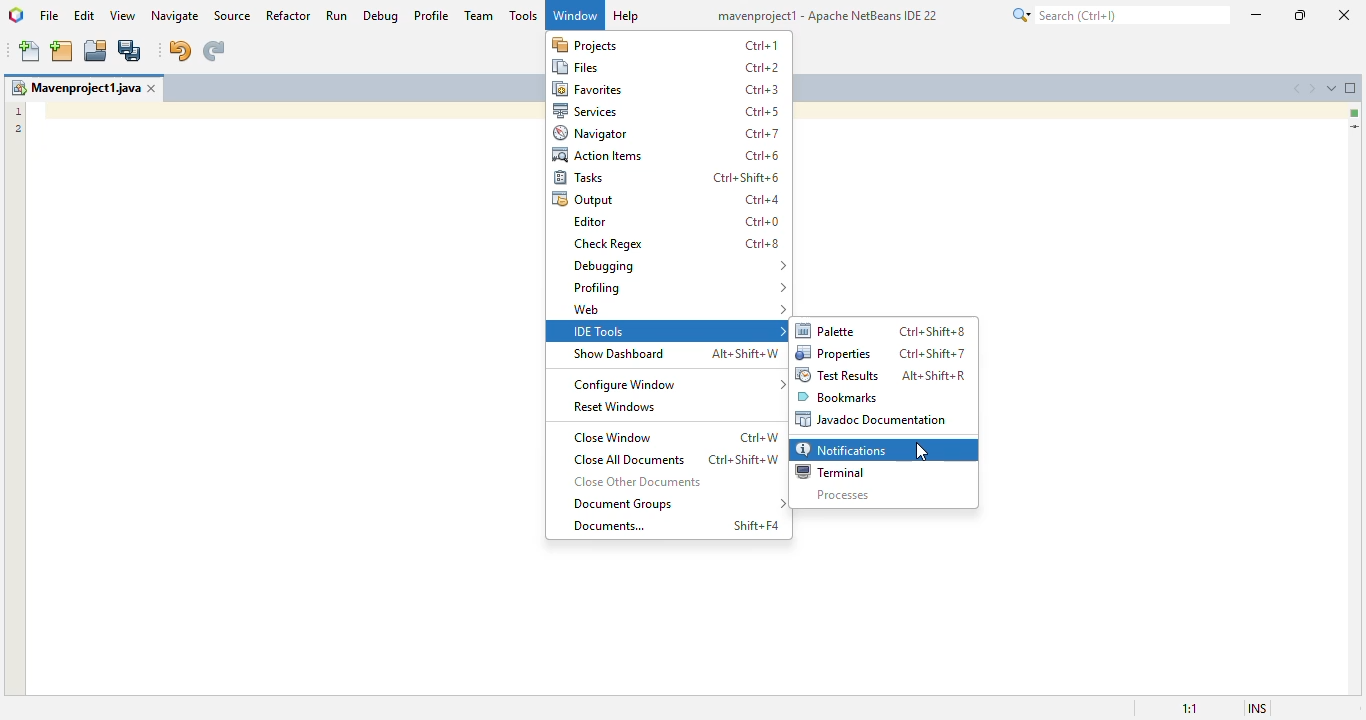  What do you see at coordinates (579, 177) in the screenshot?
I see `tasks` at bounding box center [579, 177].